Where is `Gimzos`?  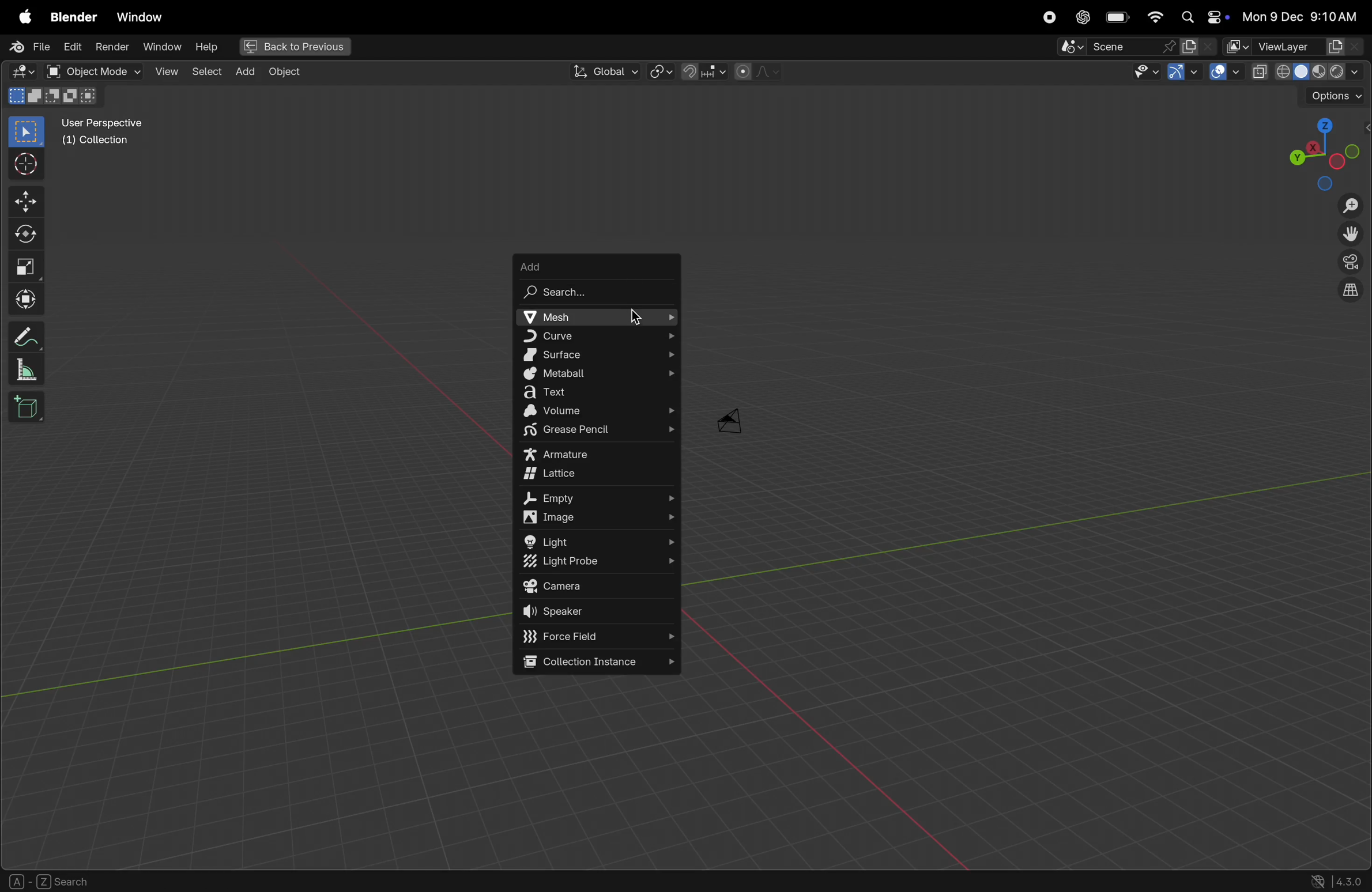 Gimzos is located at coordinates (1182, 73).